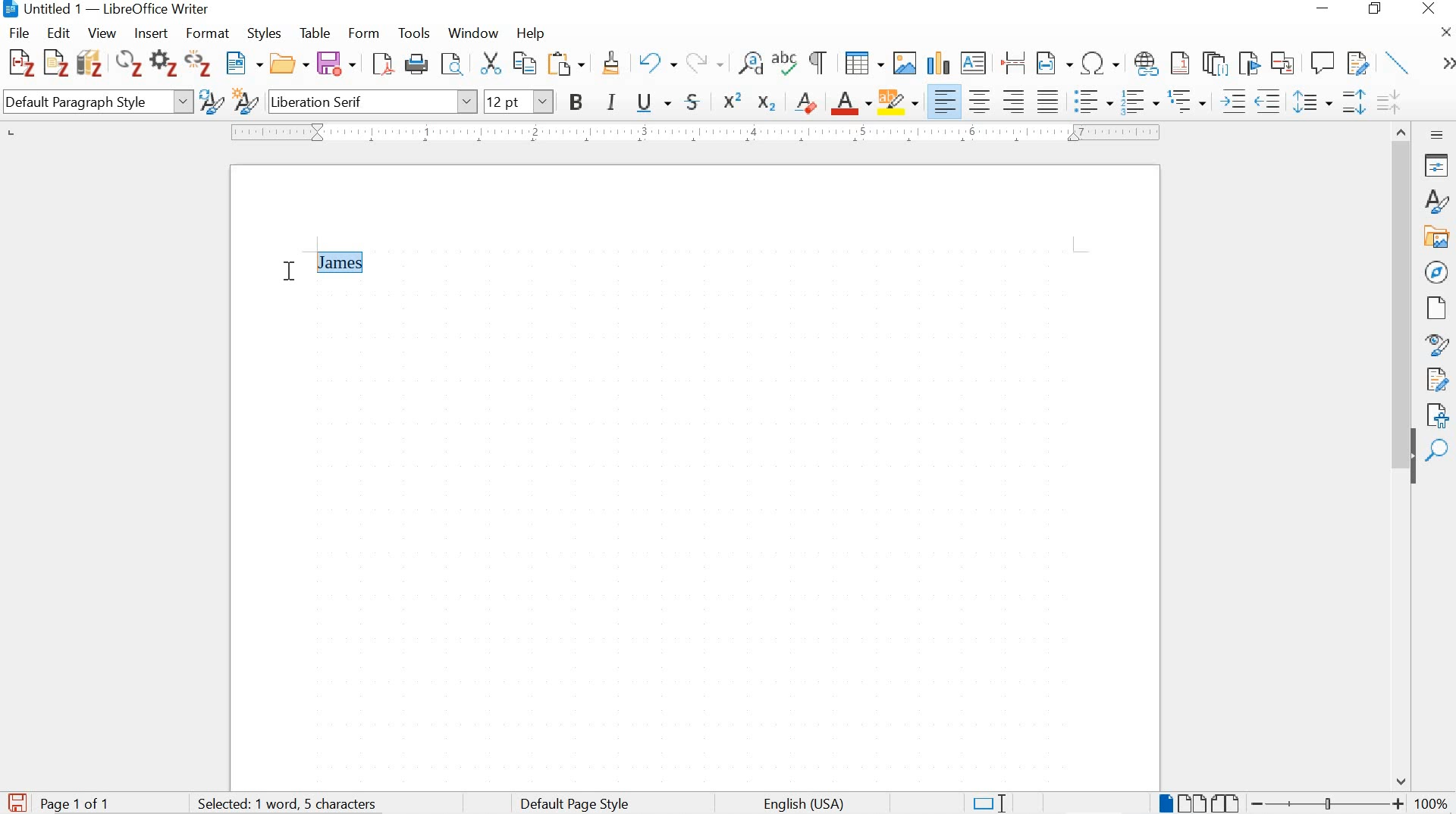 Image resolution: width=1456 pixels, height=814 pixels. What do you see at coordinates (149, 34) in the screenshot?
I see `insert` at bounding box center [149, 34].